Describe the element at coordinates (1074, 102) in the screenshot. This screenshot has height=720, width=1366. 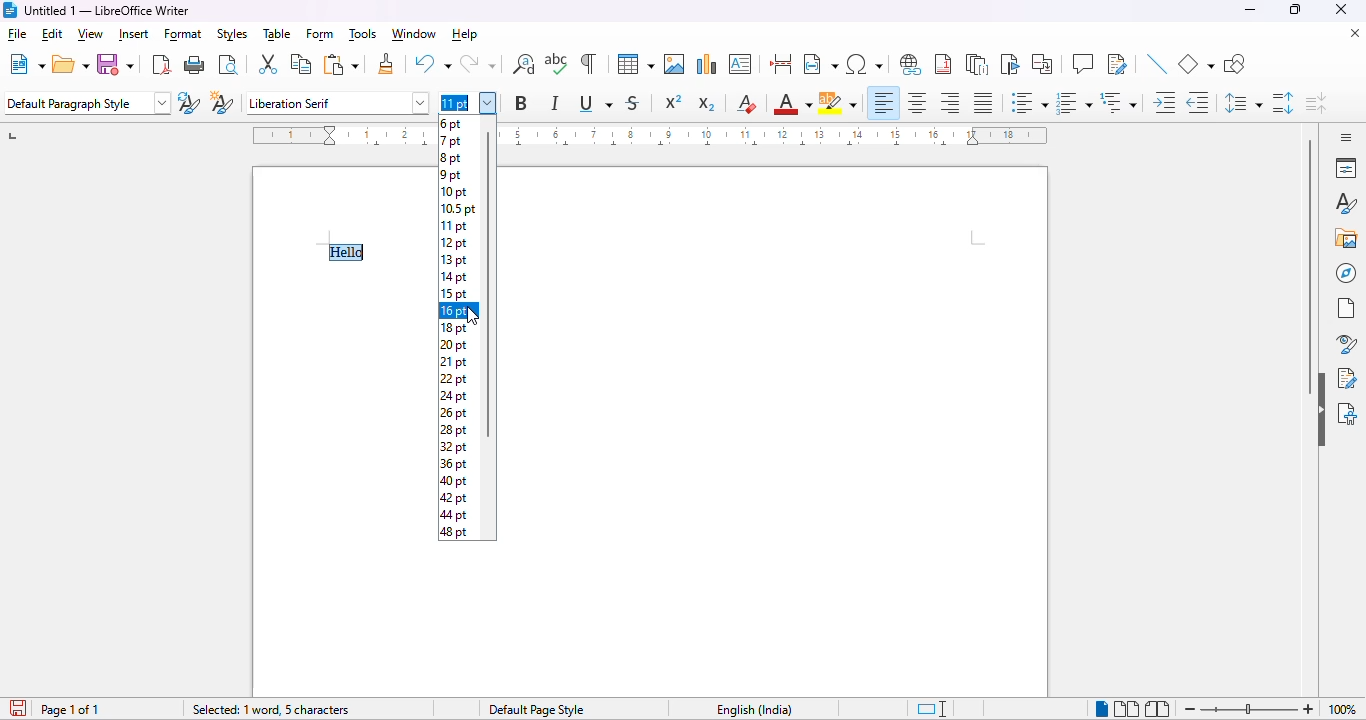
I see `toggle ordered list` at that location.